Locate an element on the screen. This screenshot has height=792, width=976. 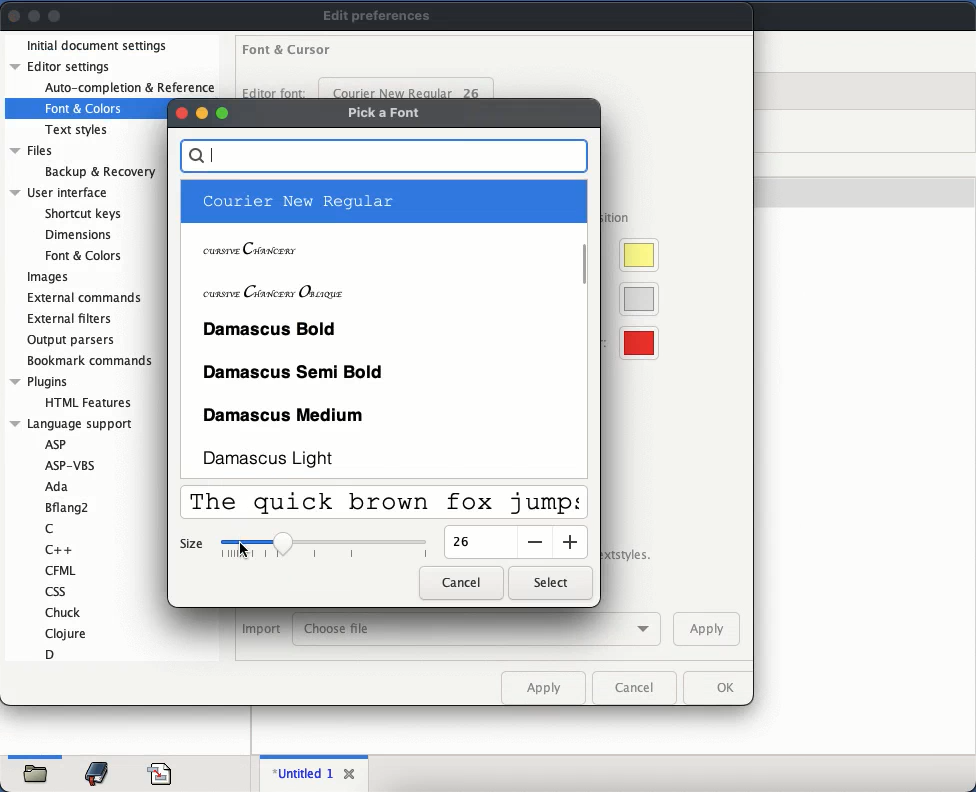
open is located at coordinates (40, 770).